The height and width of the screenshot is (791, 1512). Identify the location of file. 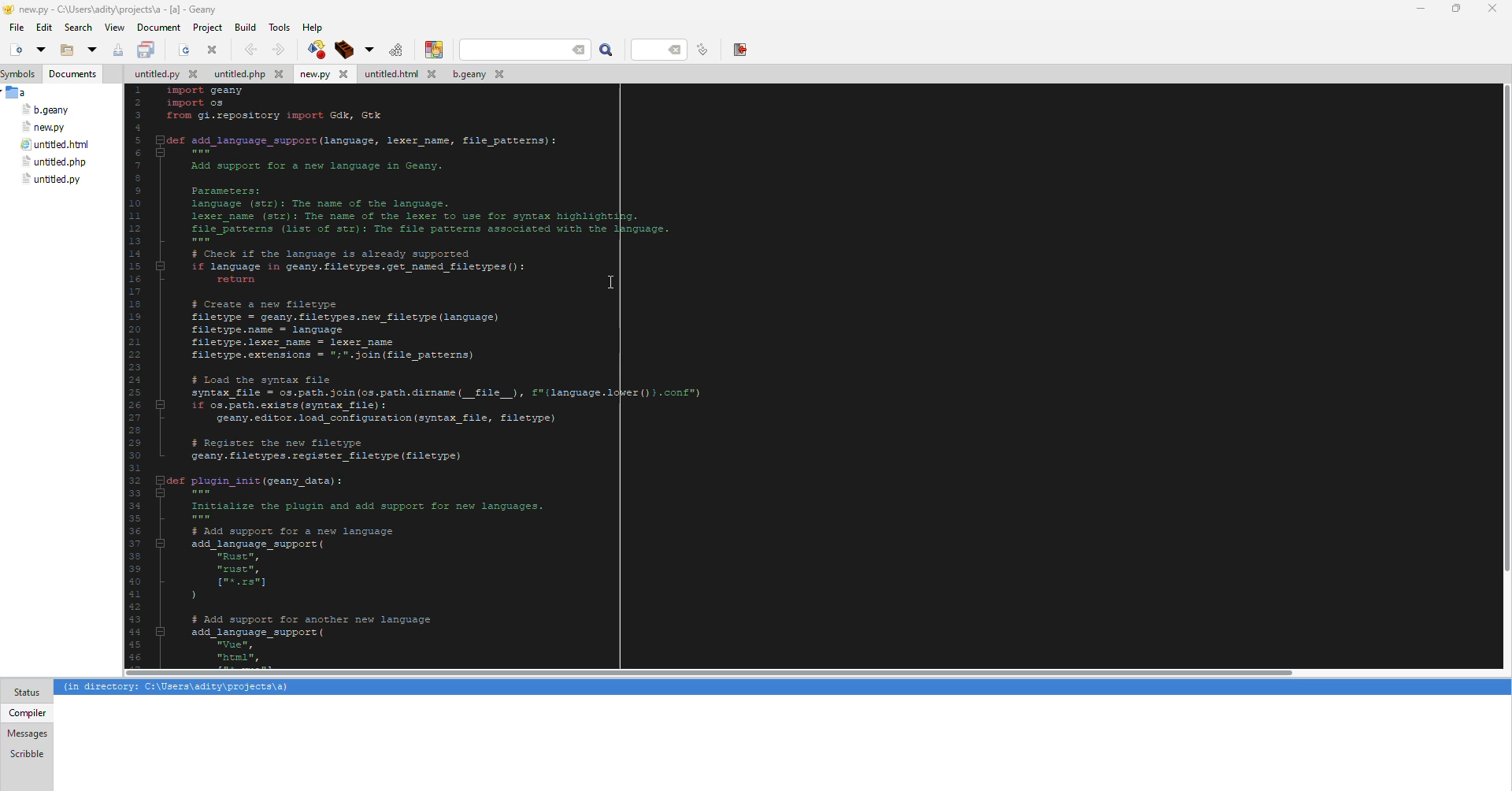
(477, 74).